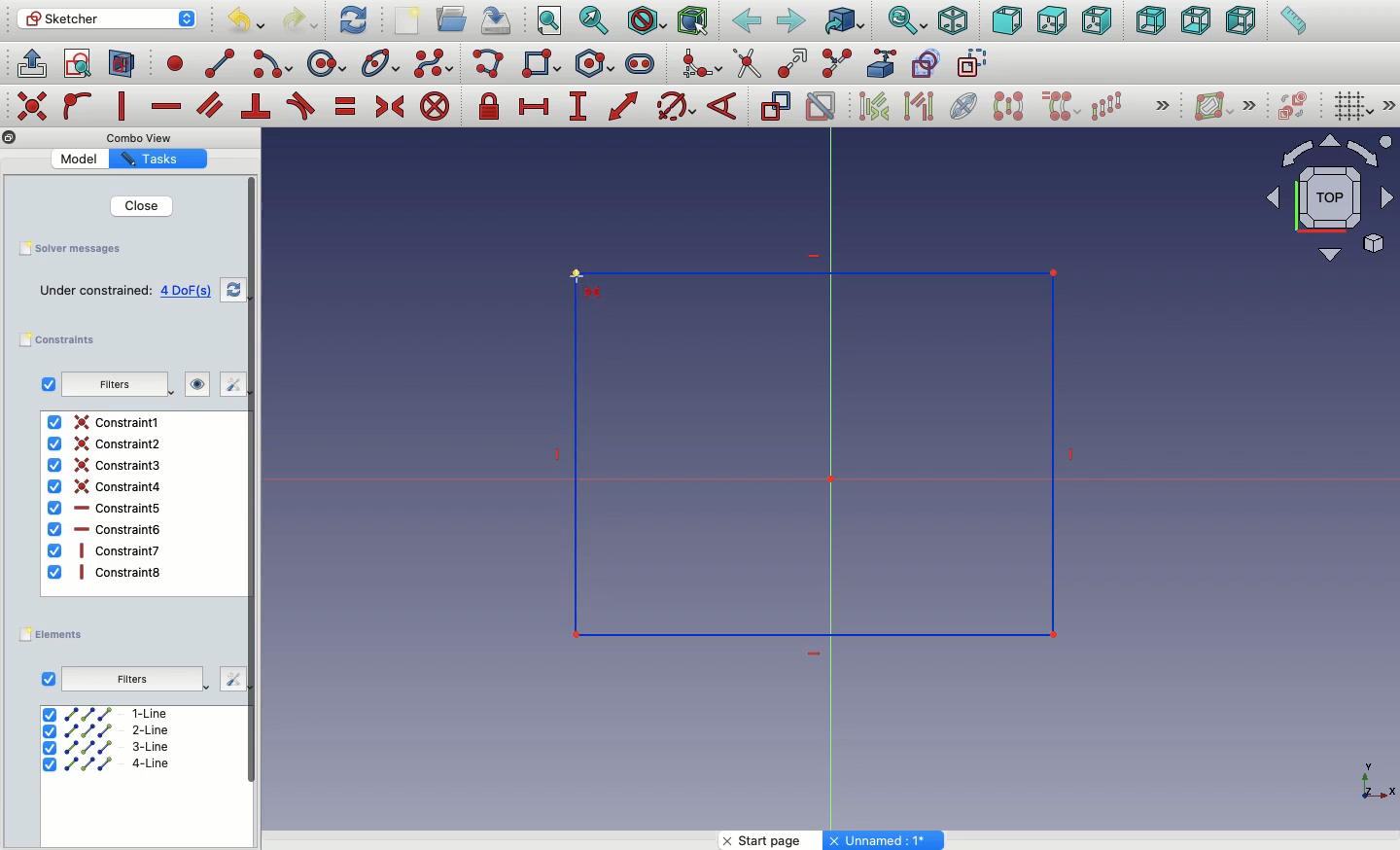  Describe the element at coordinates (434, 106) in the screenshot. I see `constrain block` at that location.